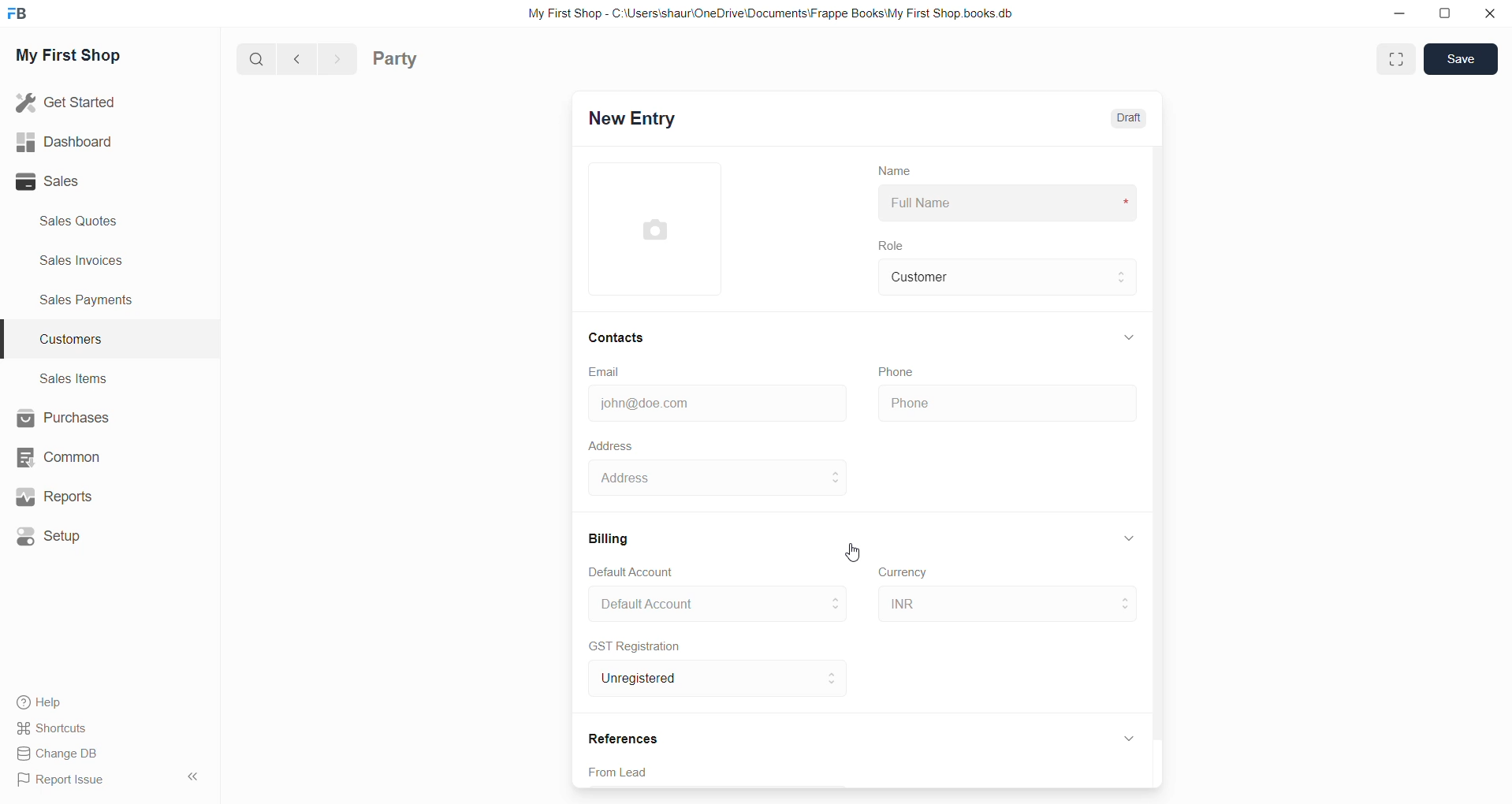  Describe the element at coordinates (986, 601) in the screenshot. I see `Select Currency` at that location.